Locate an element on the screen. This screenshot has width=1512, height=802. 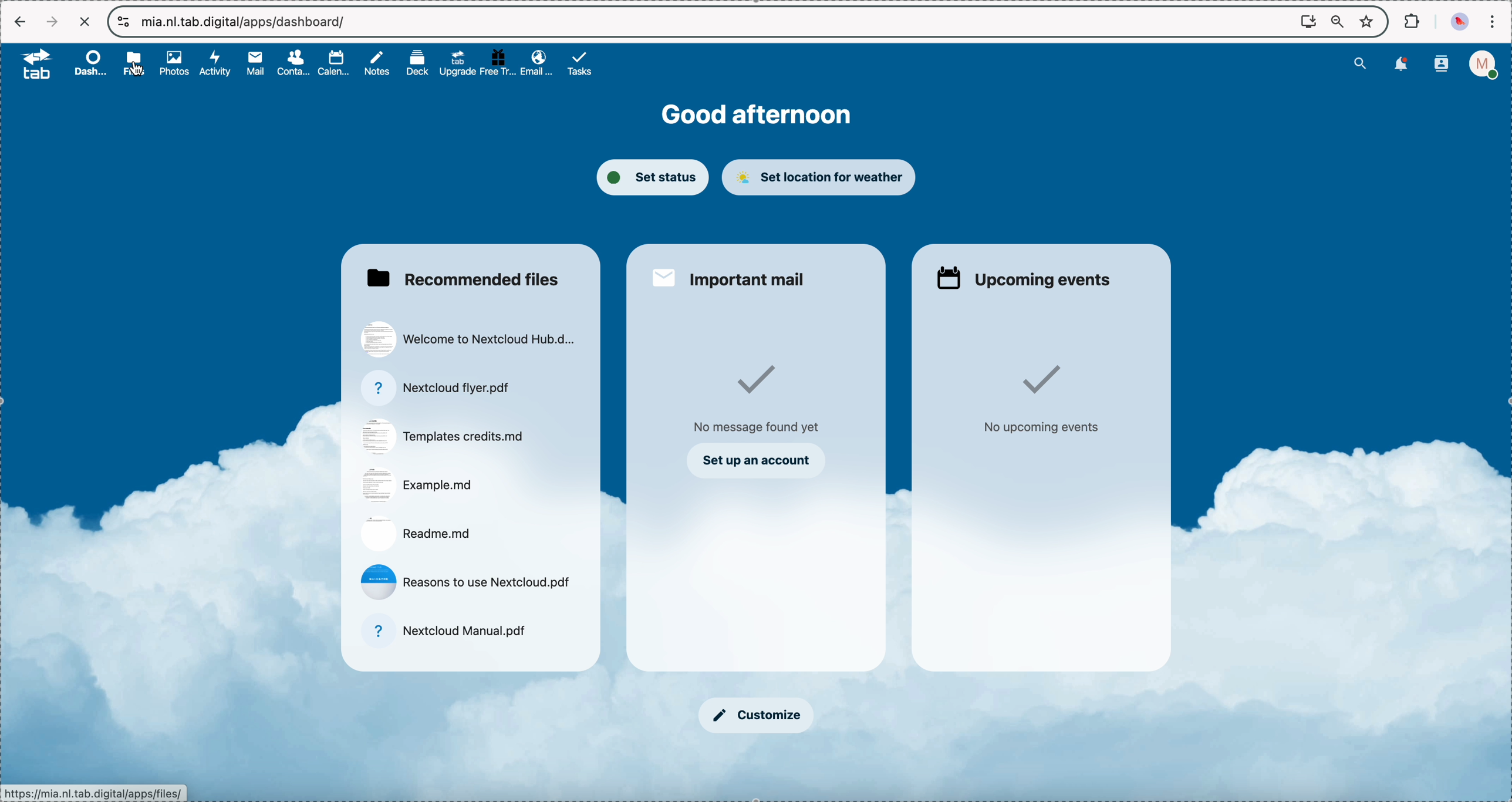
photos is located at coordinates (178, 64).